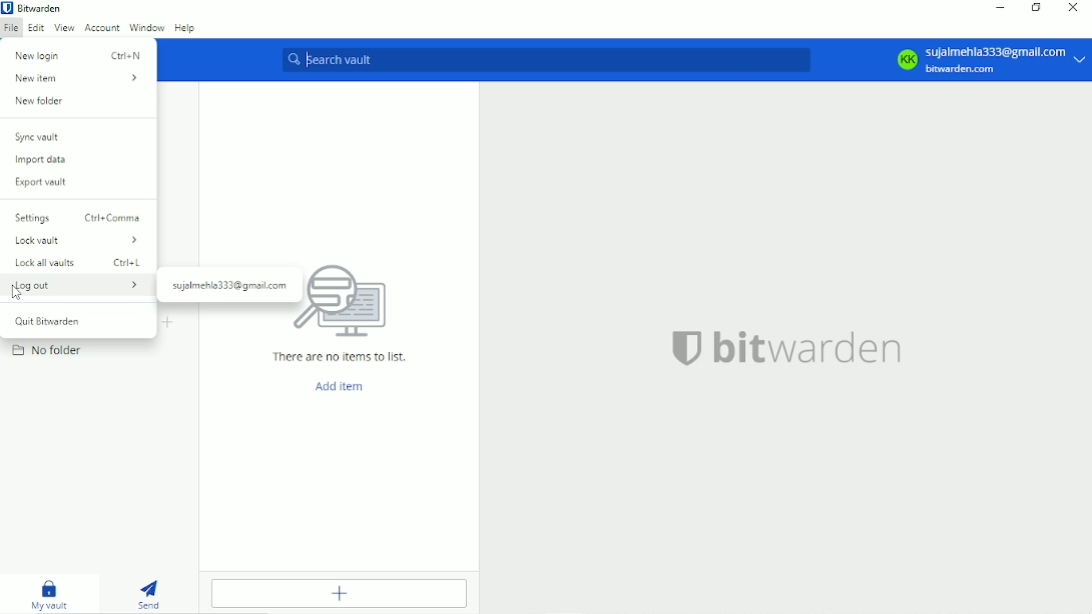  I want to click on Search vault, so click(545, 59).